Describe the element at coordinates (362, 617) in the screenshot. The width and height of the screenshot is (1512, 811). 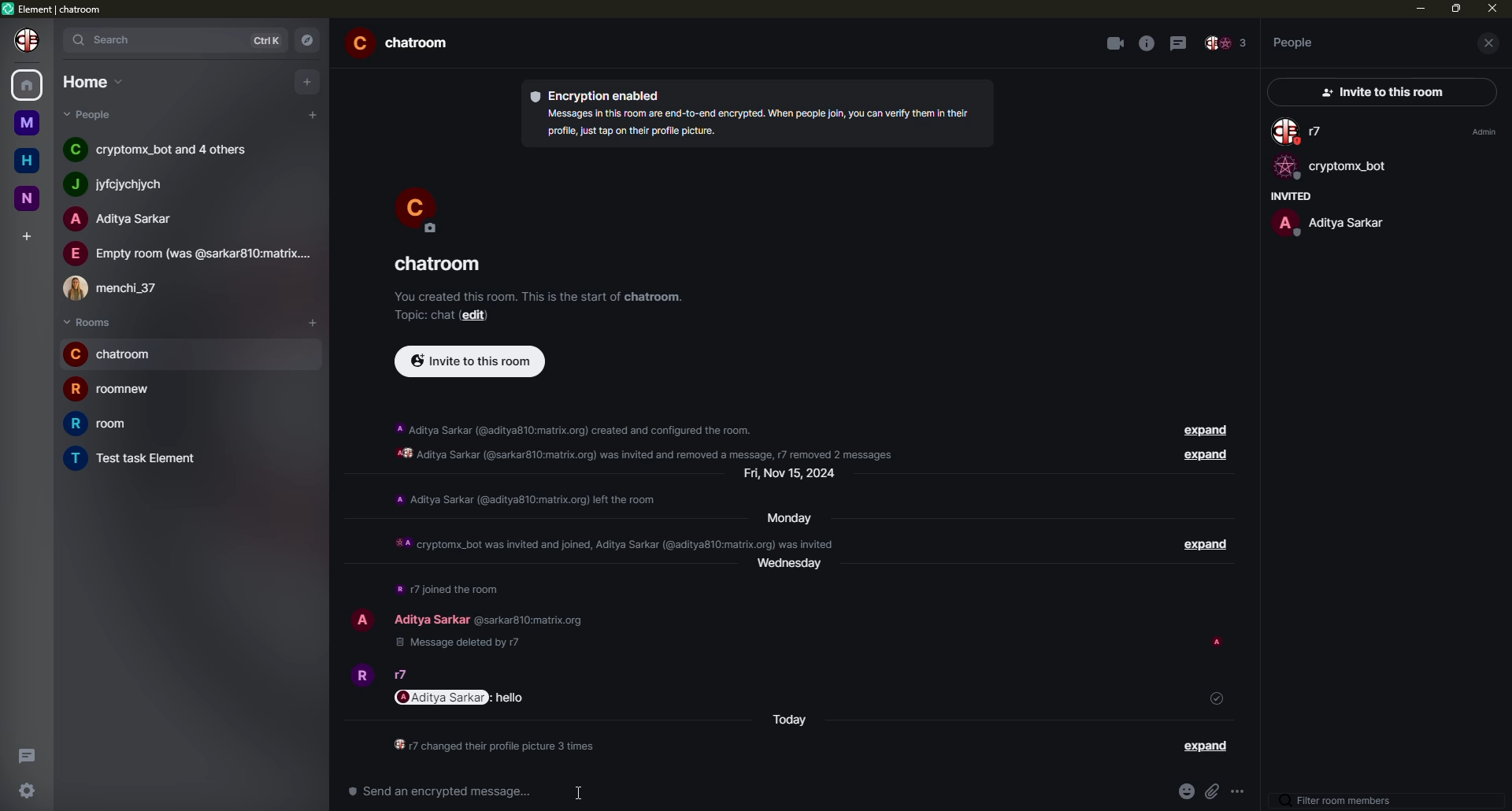
I see `profile` at that location.